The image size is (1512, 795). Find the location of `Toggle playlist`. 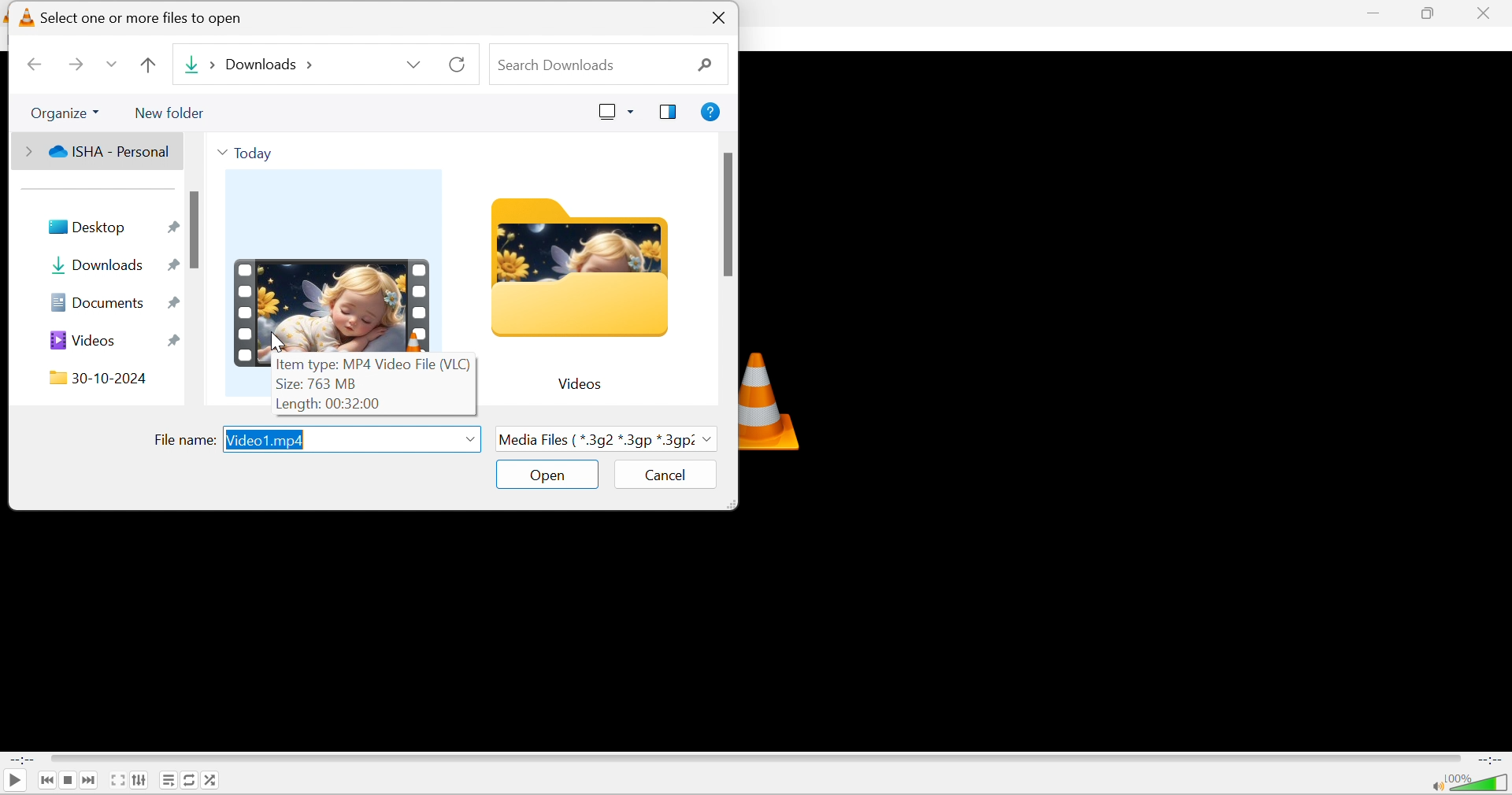

Toggle playlist is located at coordinates (168, 780).